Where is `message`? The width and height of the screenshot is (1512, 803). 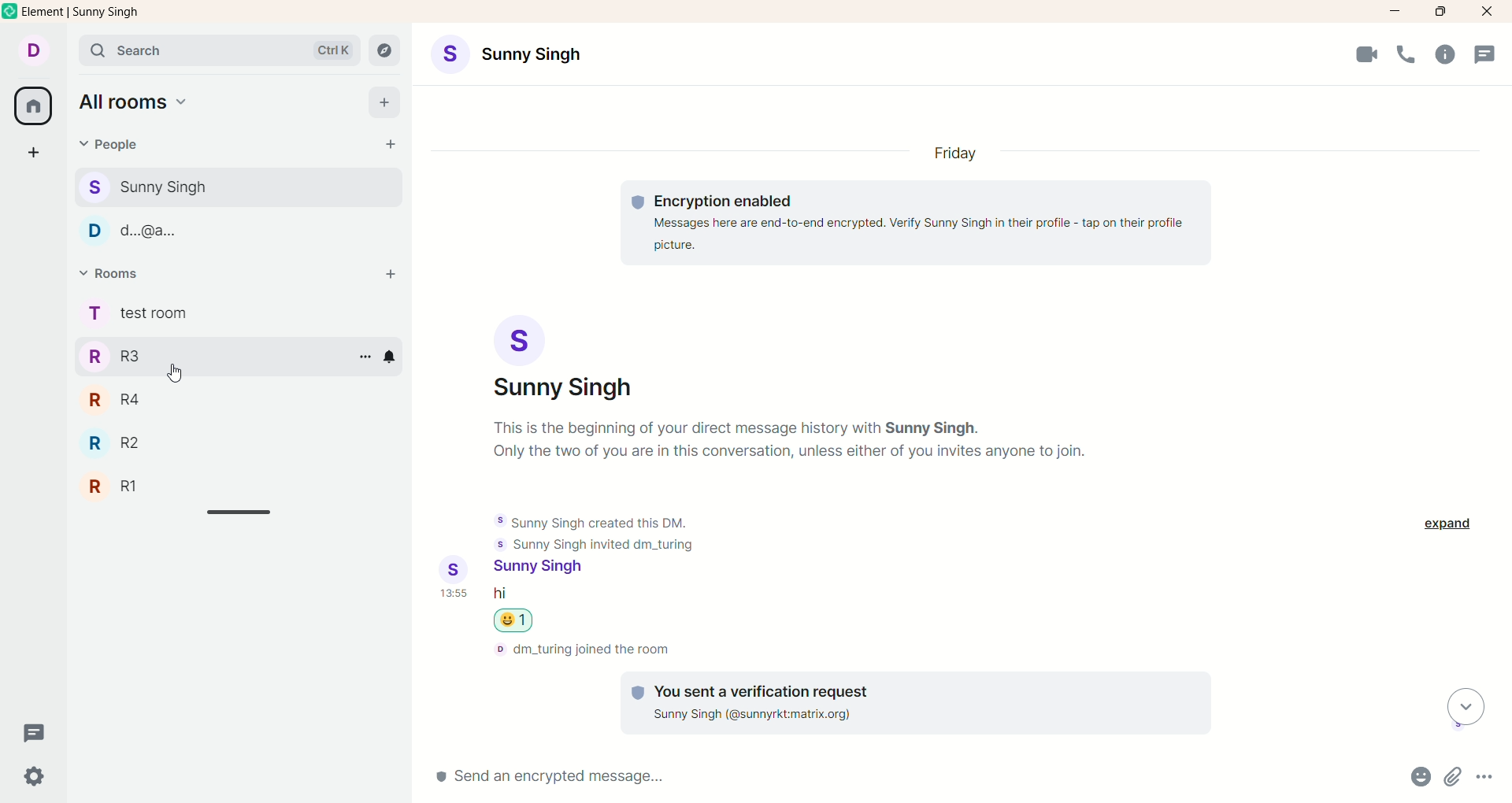 message is located at coordinates (580, 594).